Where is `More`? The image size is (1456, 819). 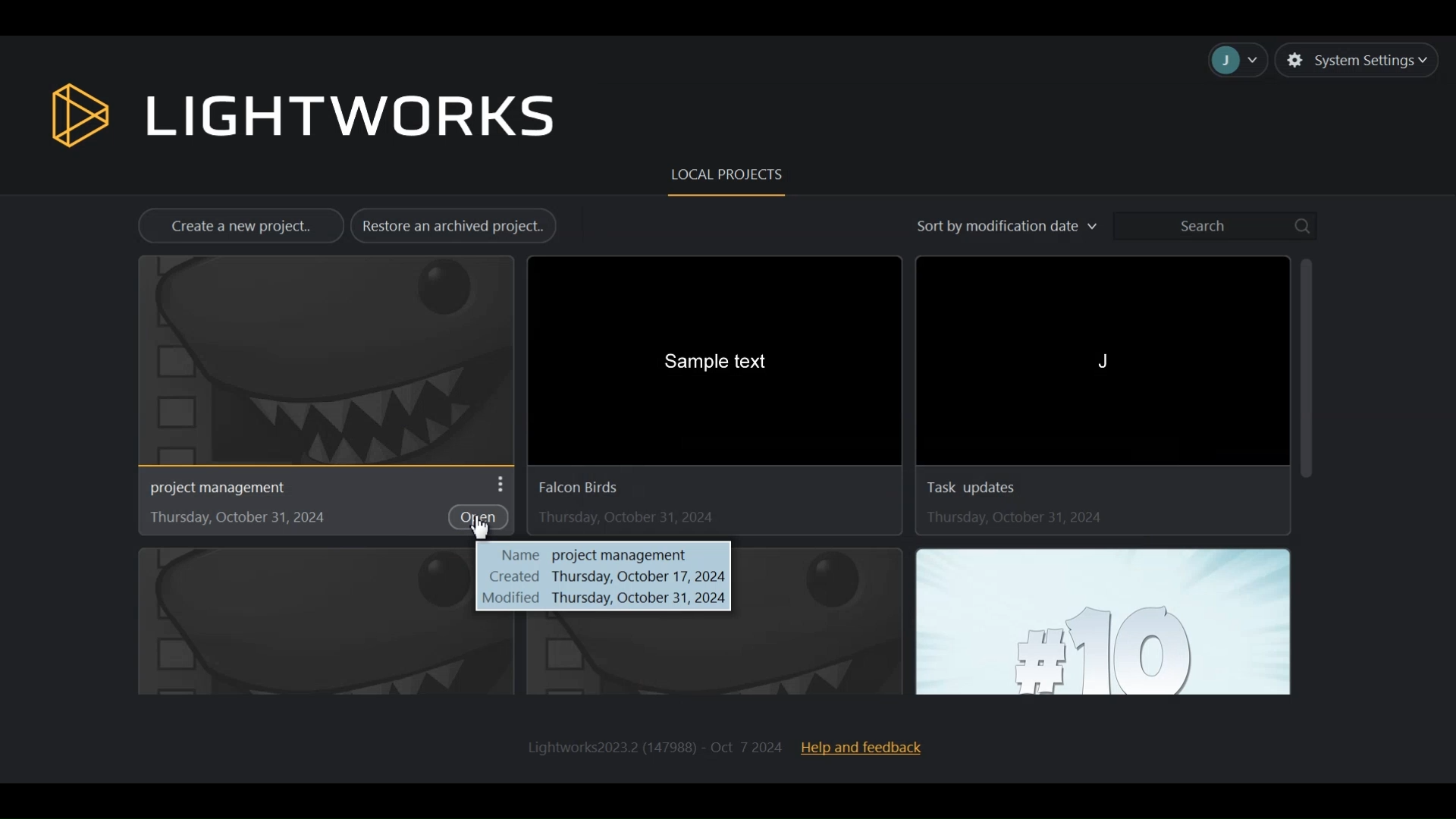 More is located at coordinates (497, 485).